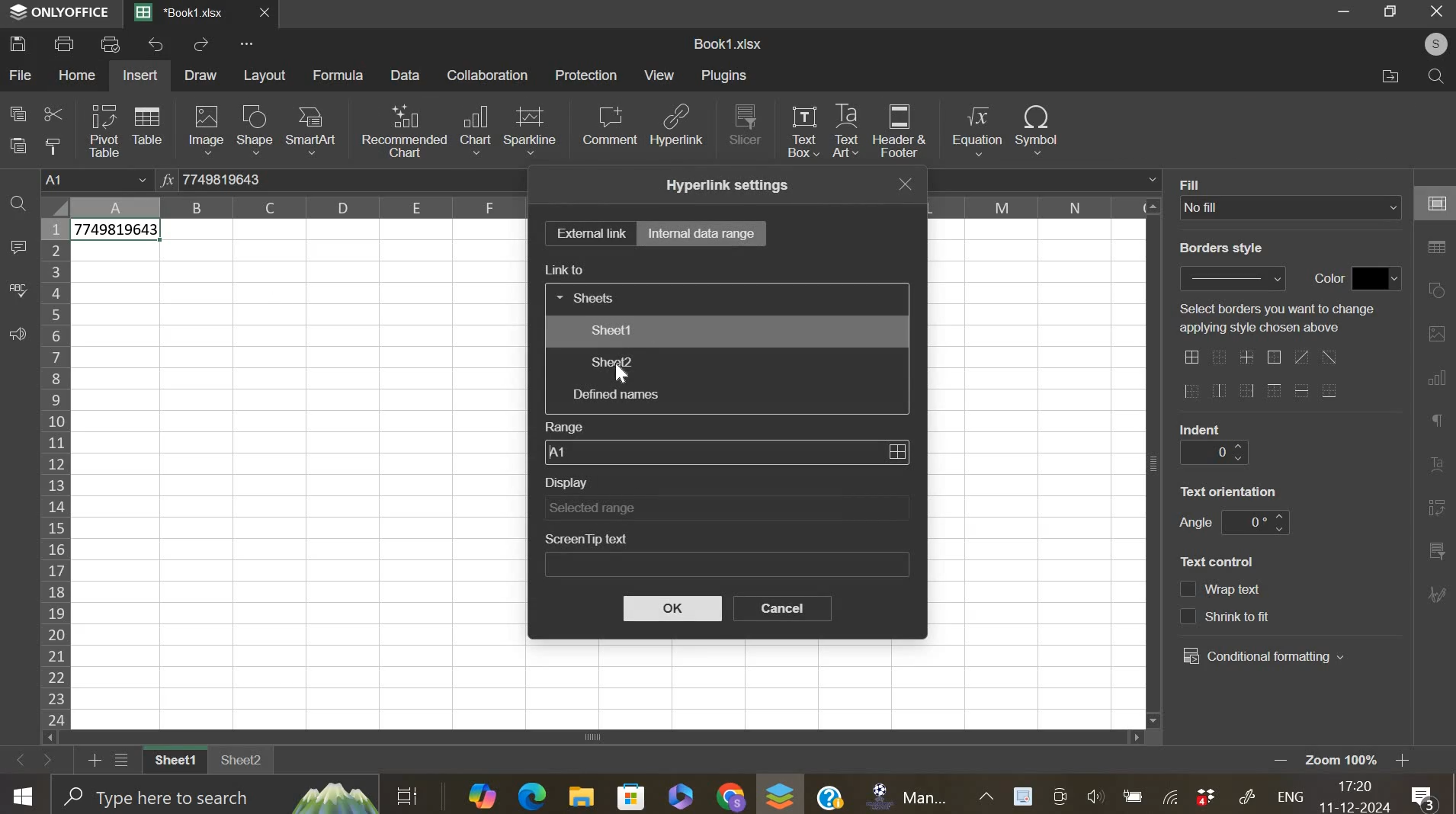  I want to click on copy, so click(18, 113).